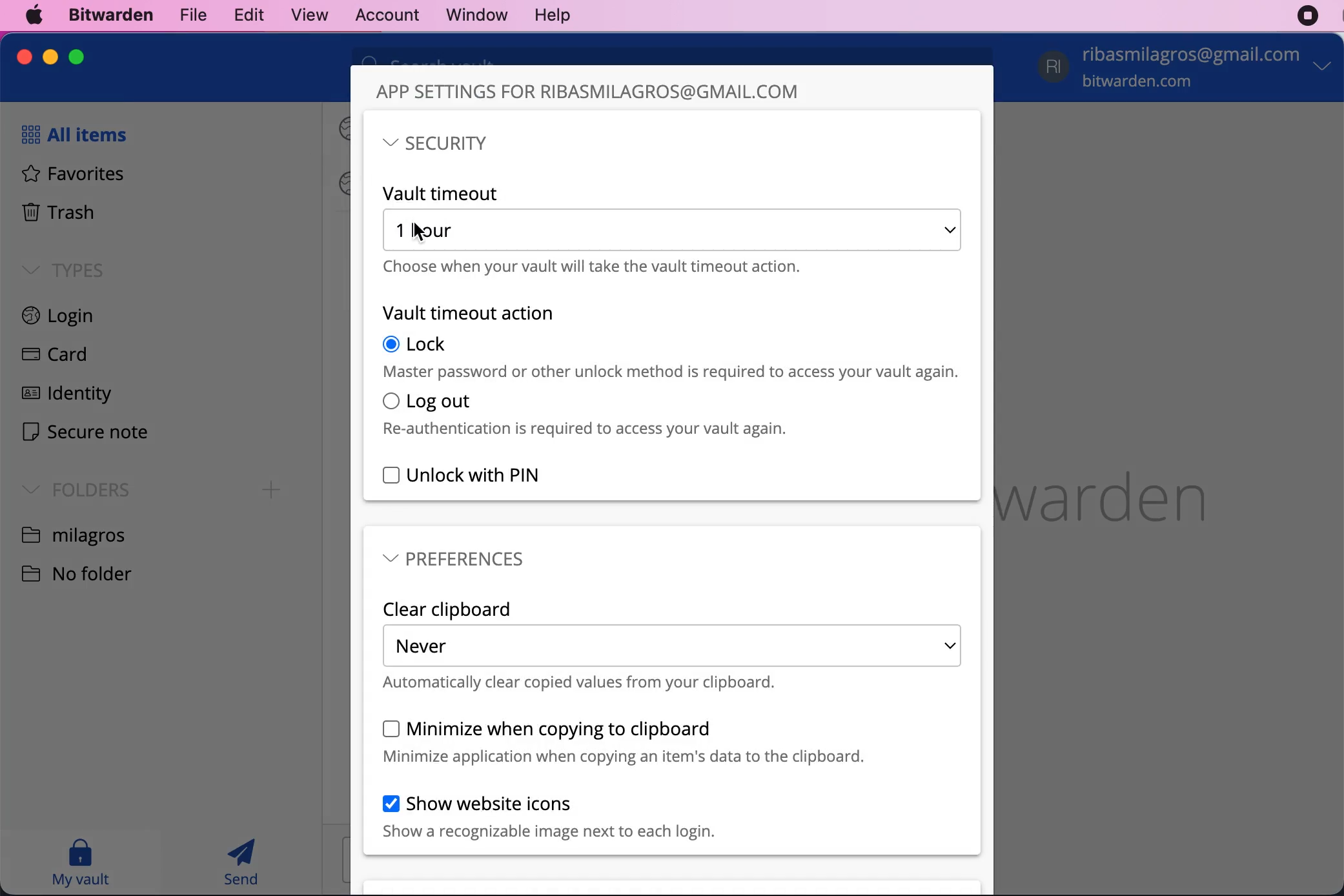  I want to click on types, so click(63, 269).